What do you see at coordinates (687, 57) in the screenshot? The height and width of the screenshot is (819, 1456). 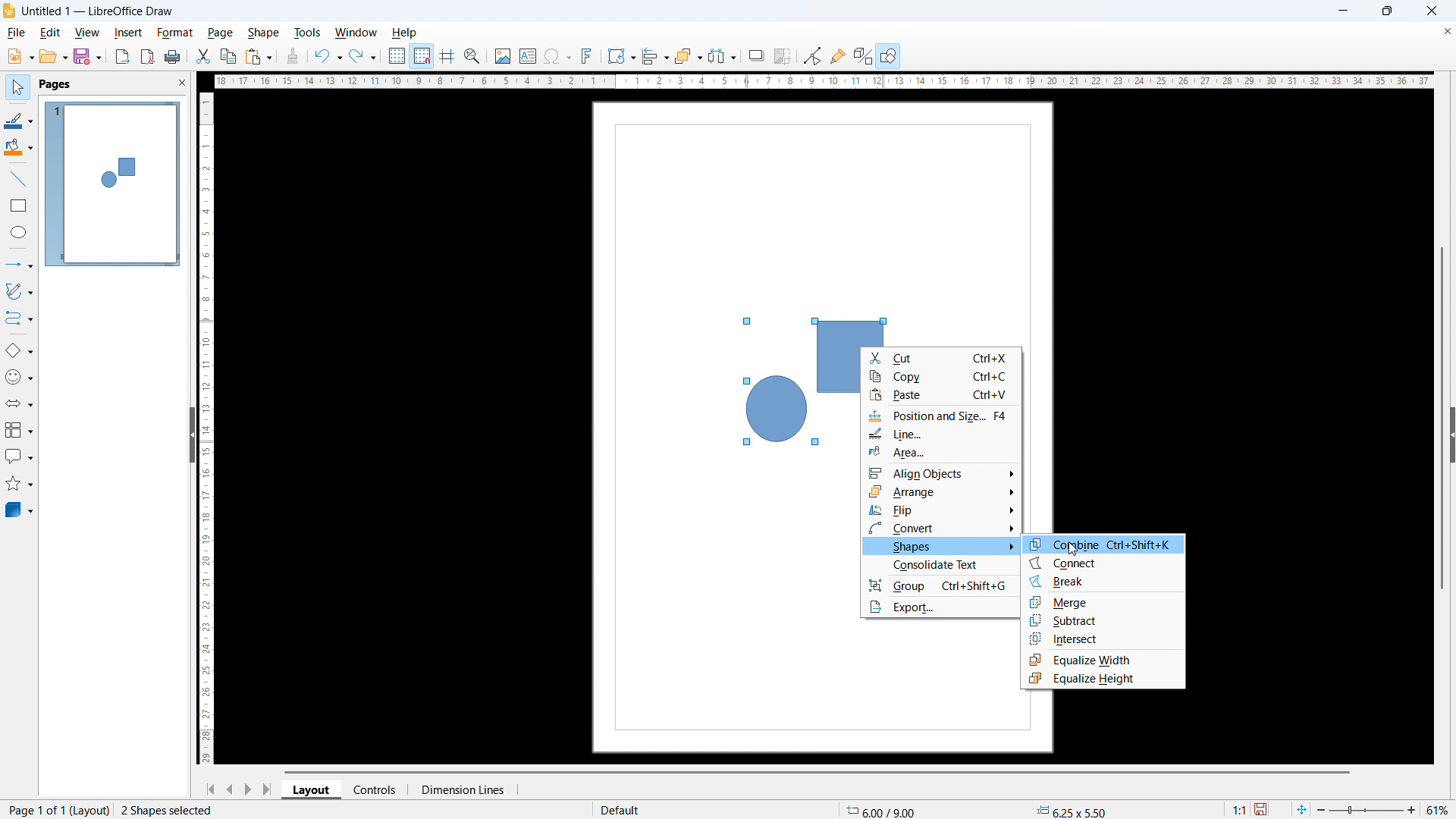 I see `arrange` at bounding box center [687, 57].